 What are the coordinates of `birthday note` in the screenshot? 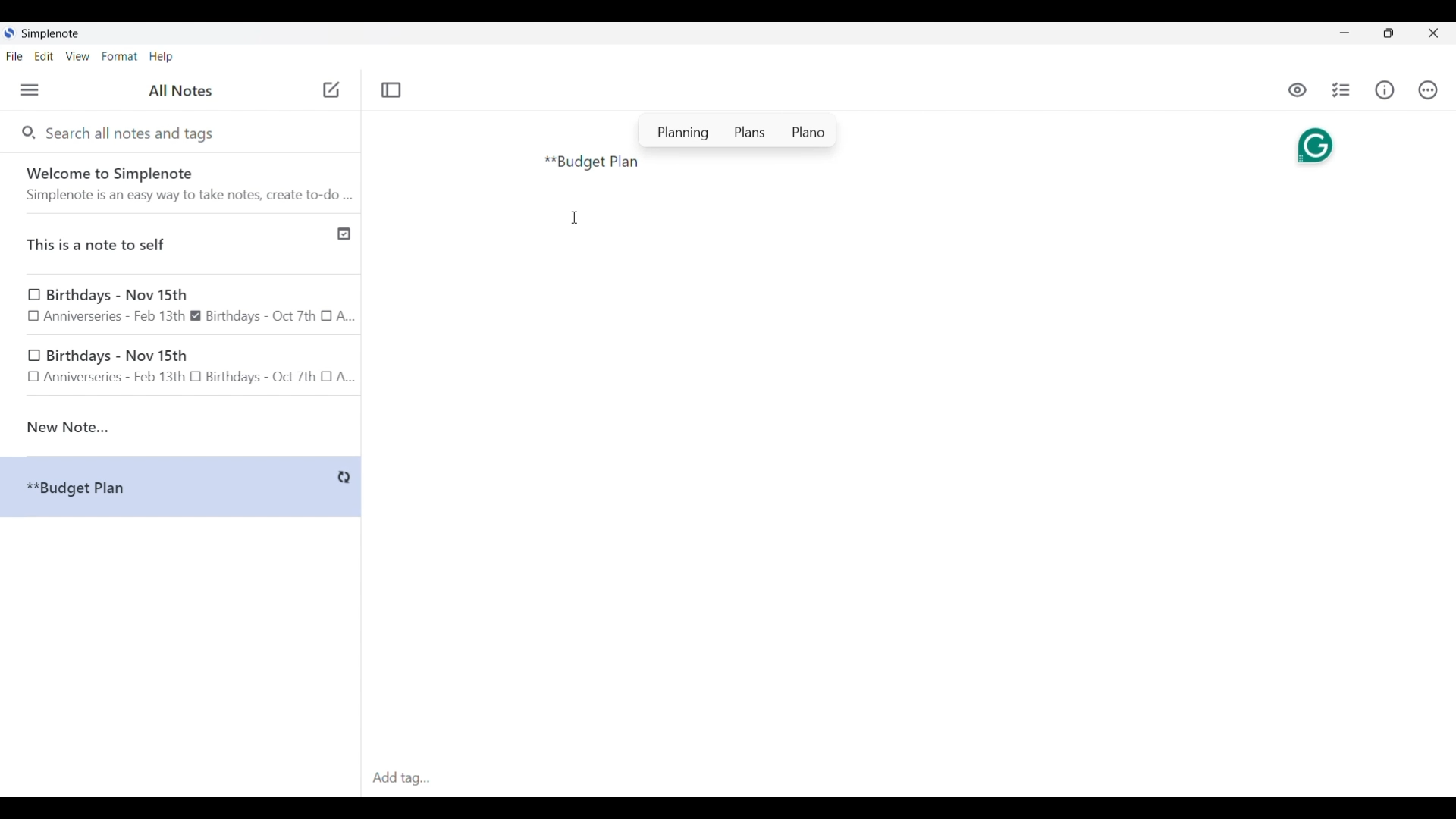 It's located at (182, 369).